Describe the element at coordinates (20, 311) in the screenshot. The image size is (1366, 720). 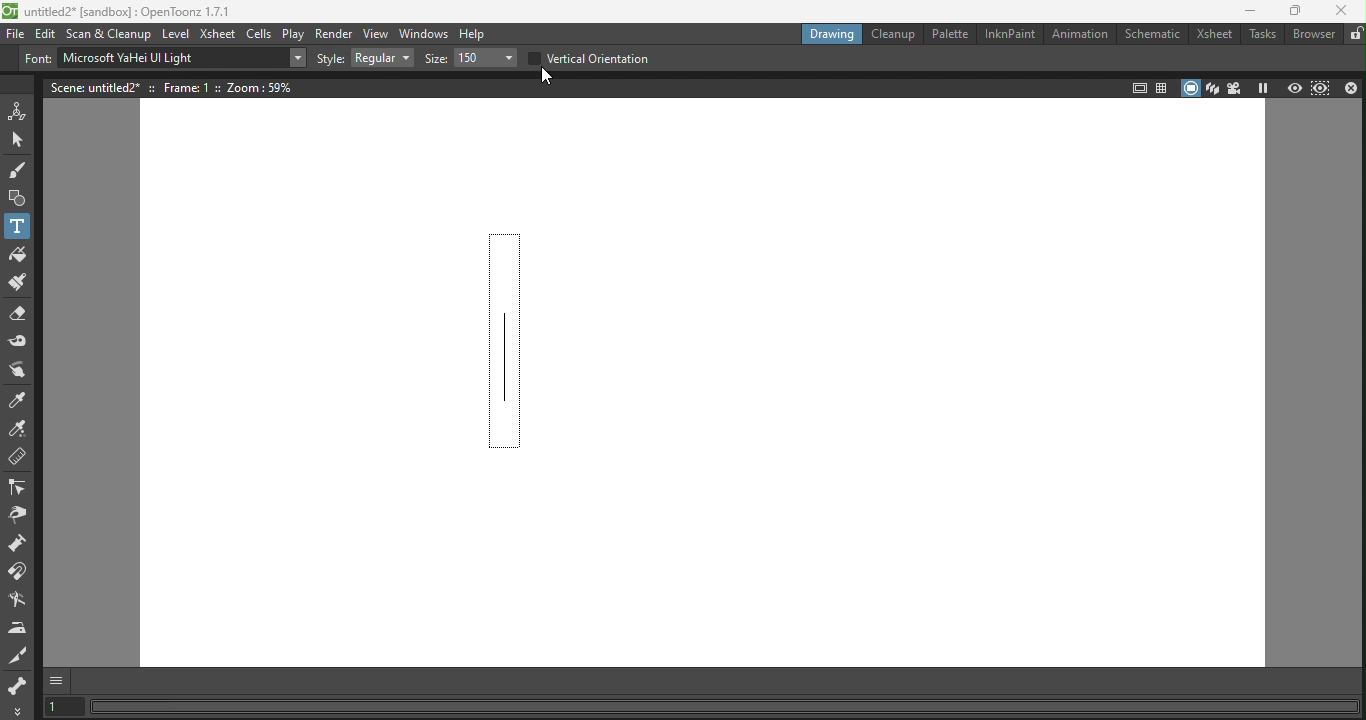
I see `Eraser tool` at that location.